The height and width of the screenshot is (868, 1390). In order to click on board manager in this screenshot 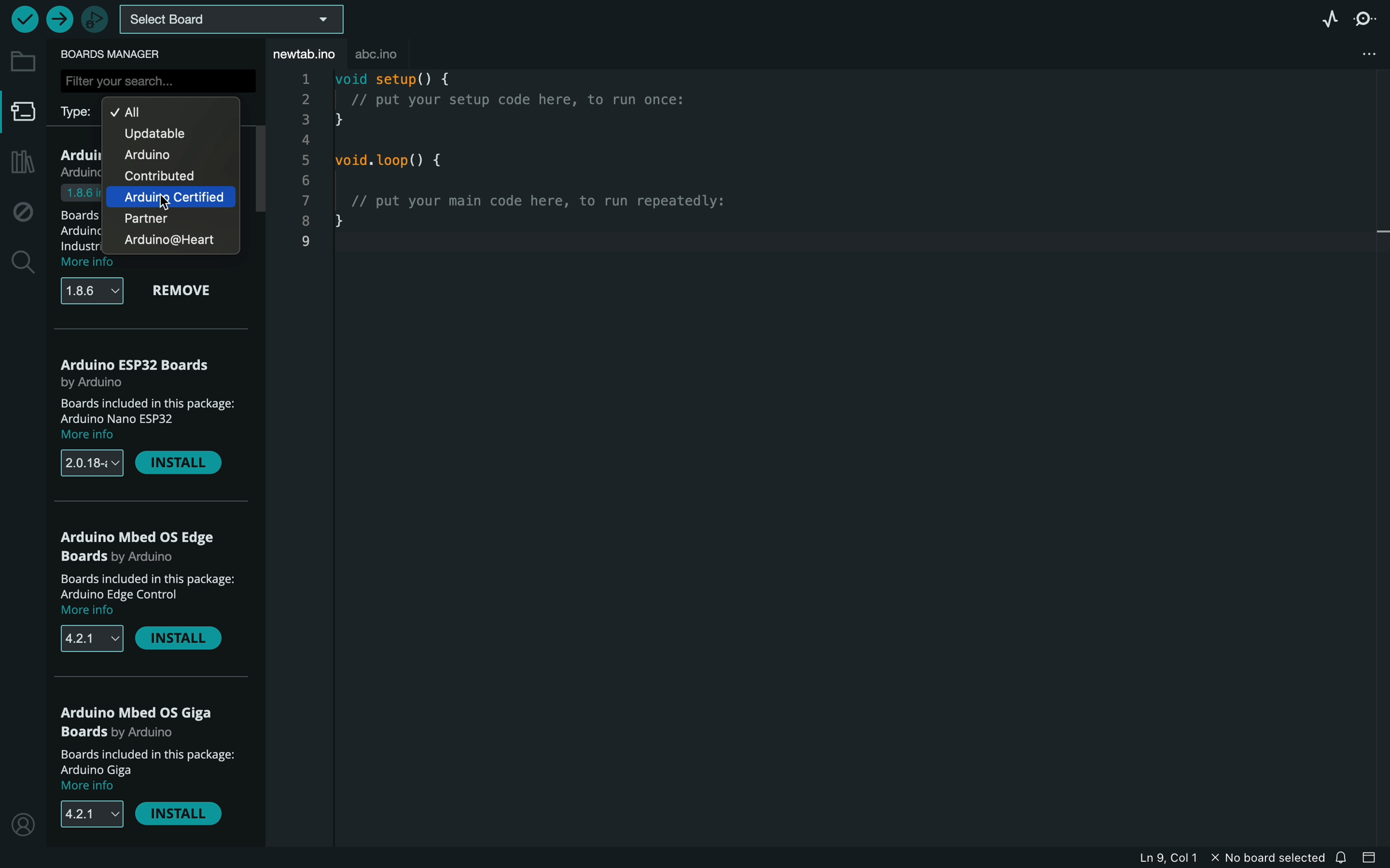, I will do `click(20, 113)`.